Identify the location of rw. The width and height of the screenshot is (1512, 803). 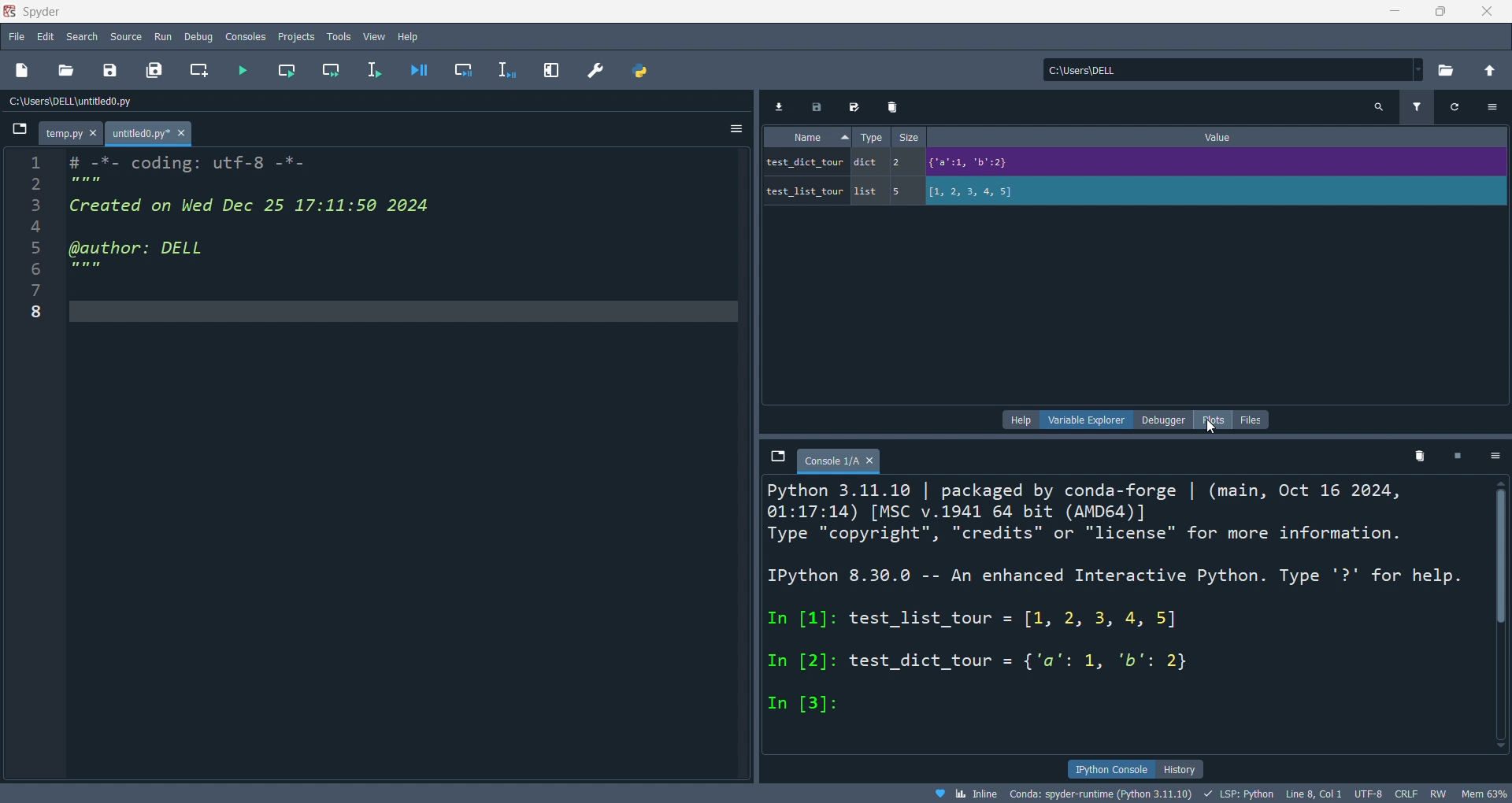
(1437, 794).